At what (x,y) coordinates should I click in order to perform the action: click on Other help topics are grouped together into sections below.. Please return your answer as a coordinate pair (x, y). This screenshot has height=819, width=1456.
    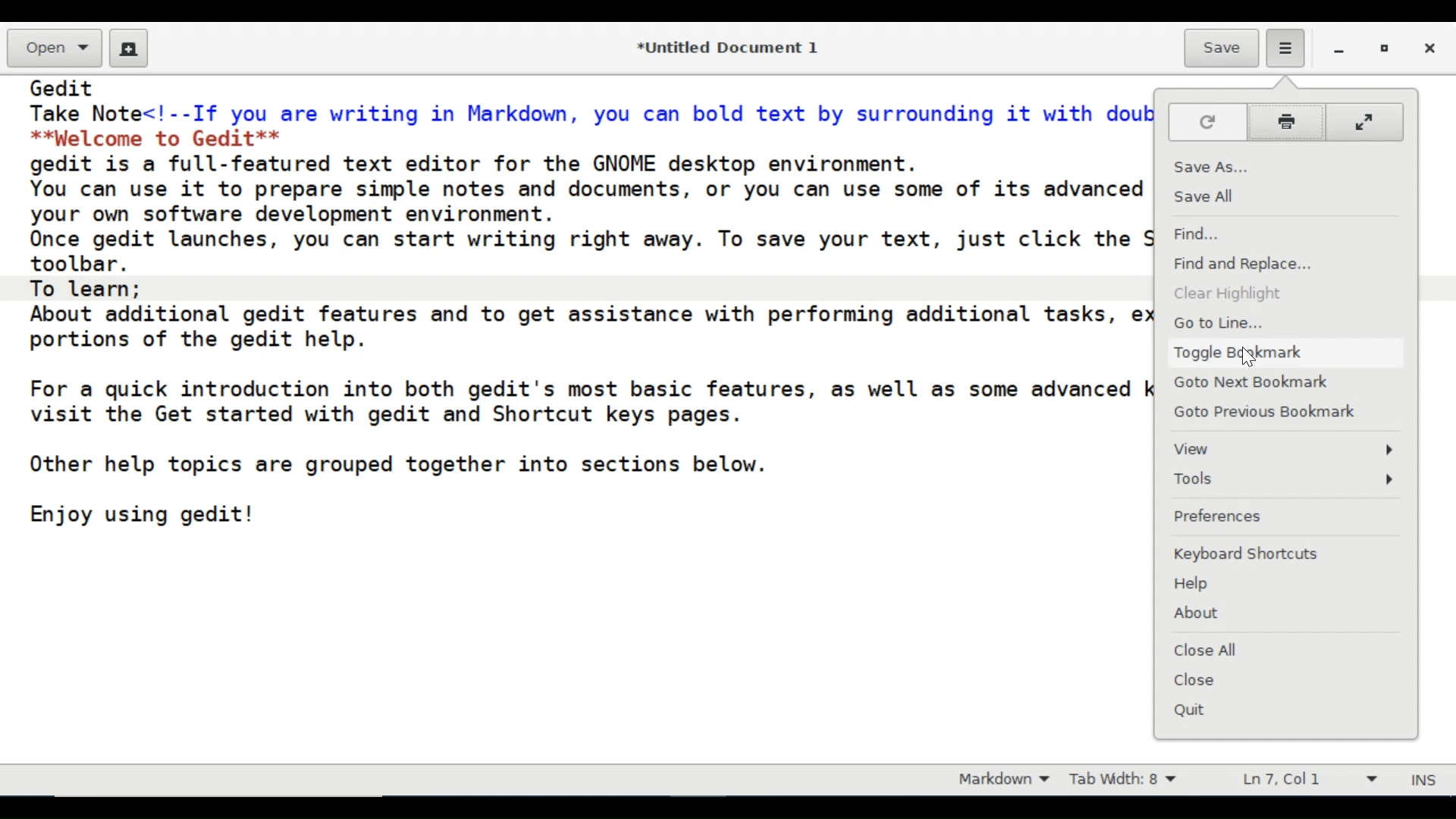
    Looking at the image, I should click on (397, 465).